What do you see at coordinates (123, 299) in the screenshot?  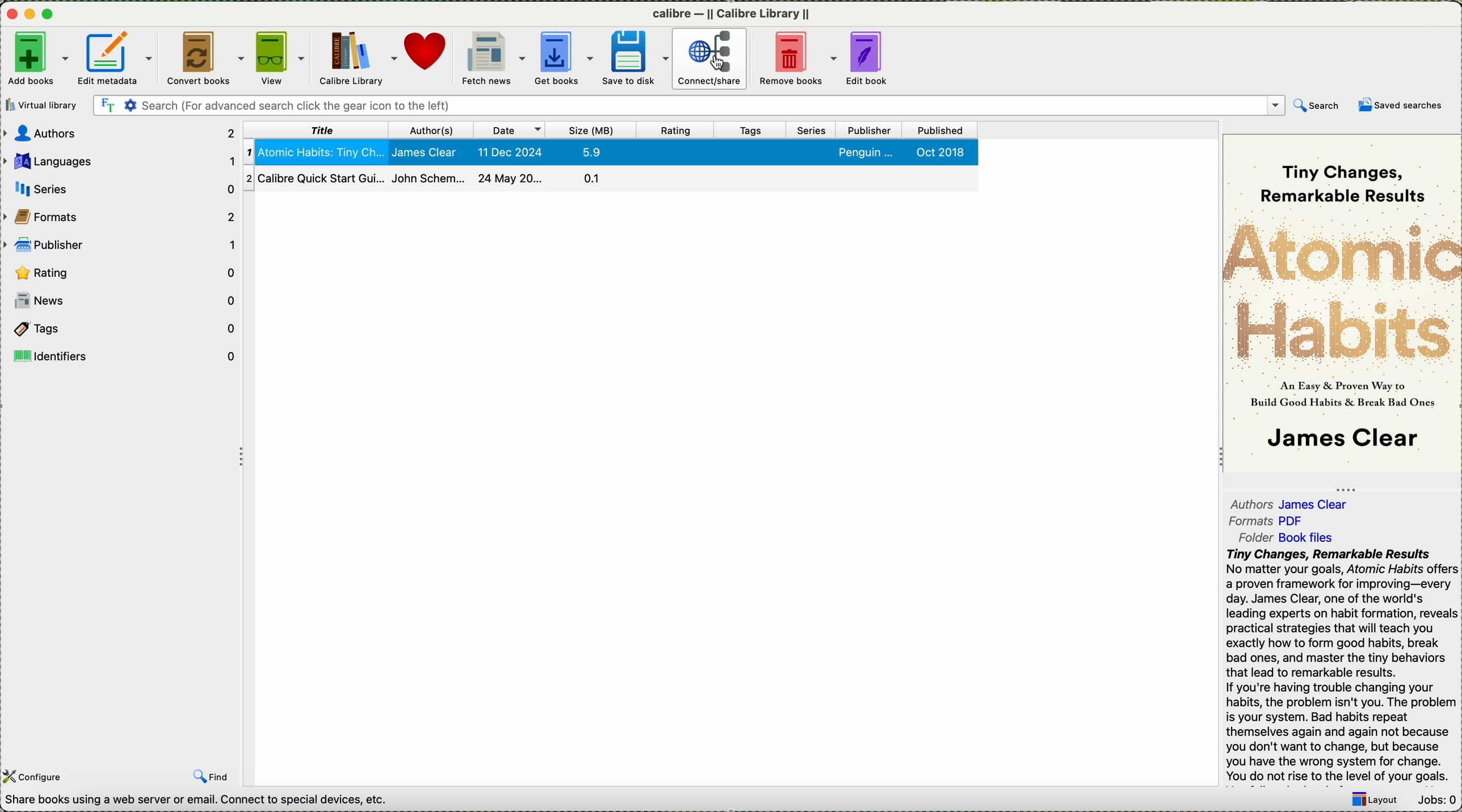 I see `news` at bounding box center [123, 299].